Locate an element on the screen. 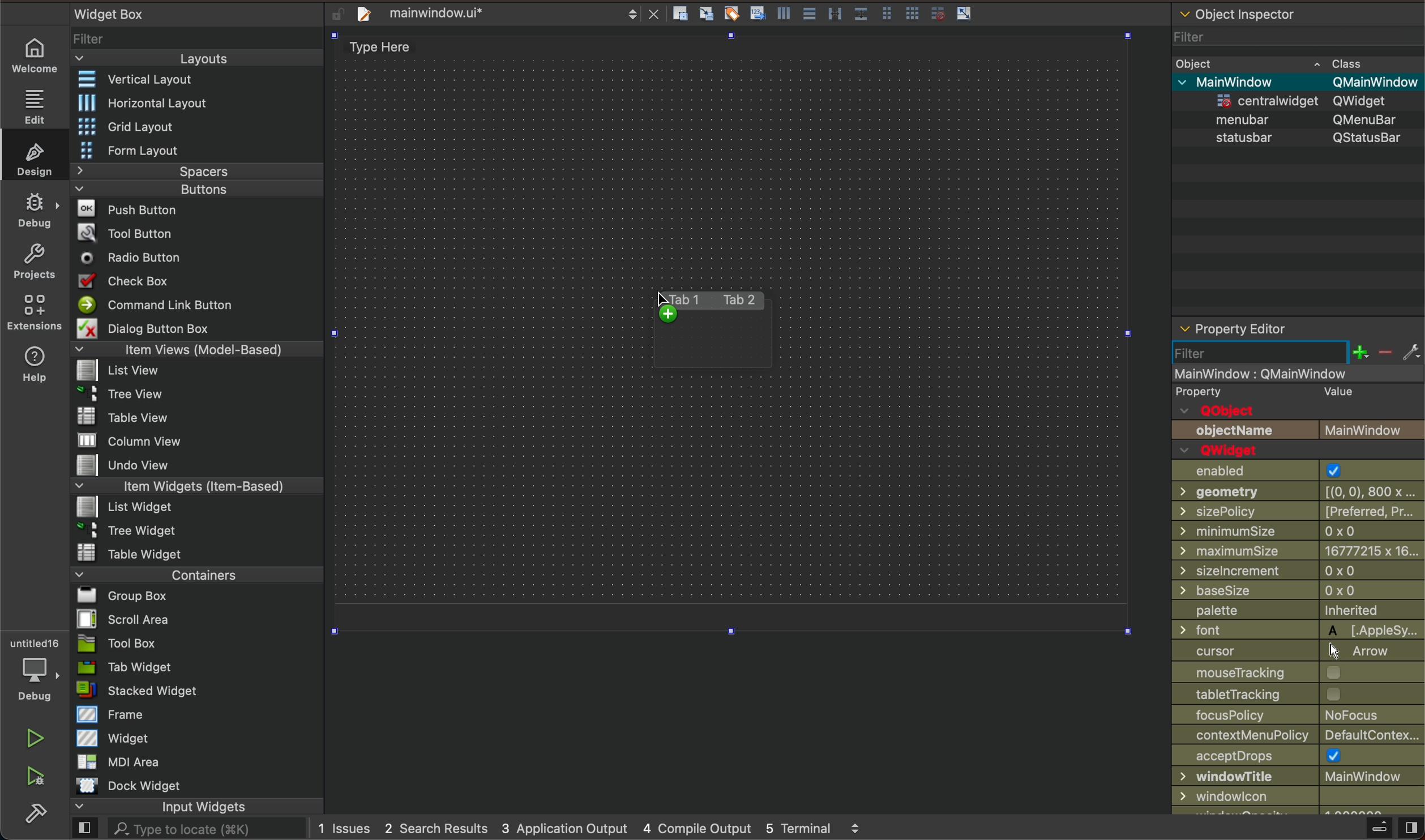  filter section is located at coordinates (1299, 352).